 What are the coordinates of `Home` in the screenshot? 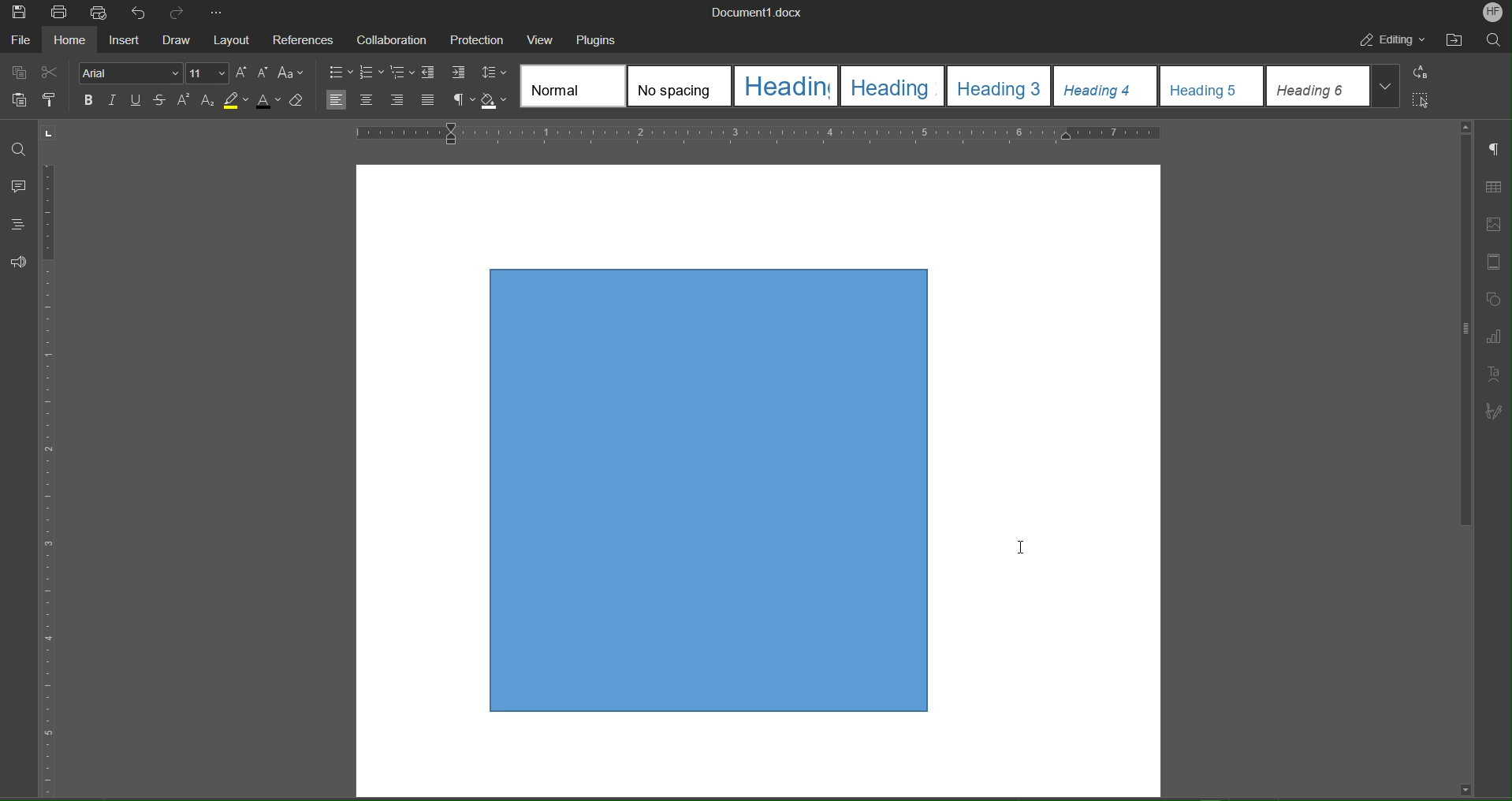 It's located at (67, 40).